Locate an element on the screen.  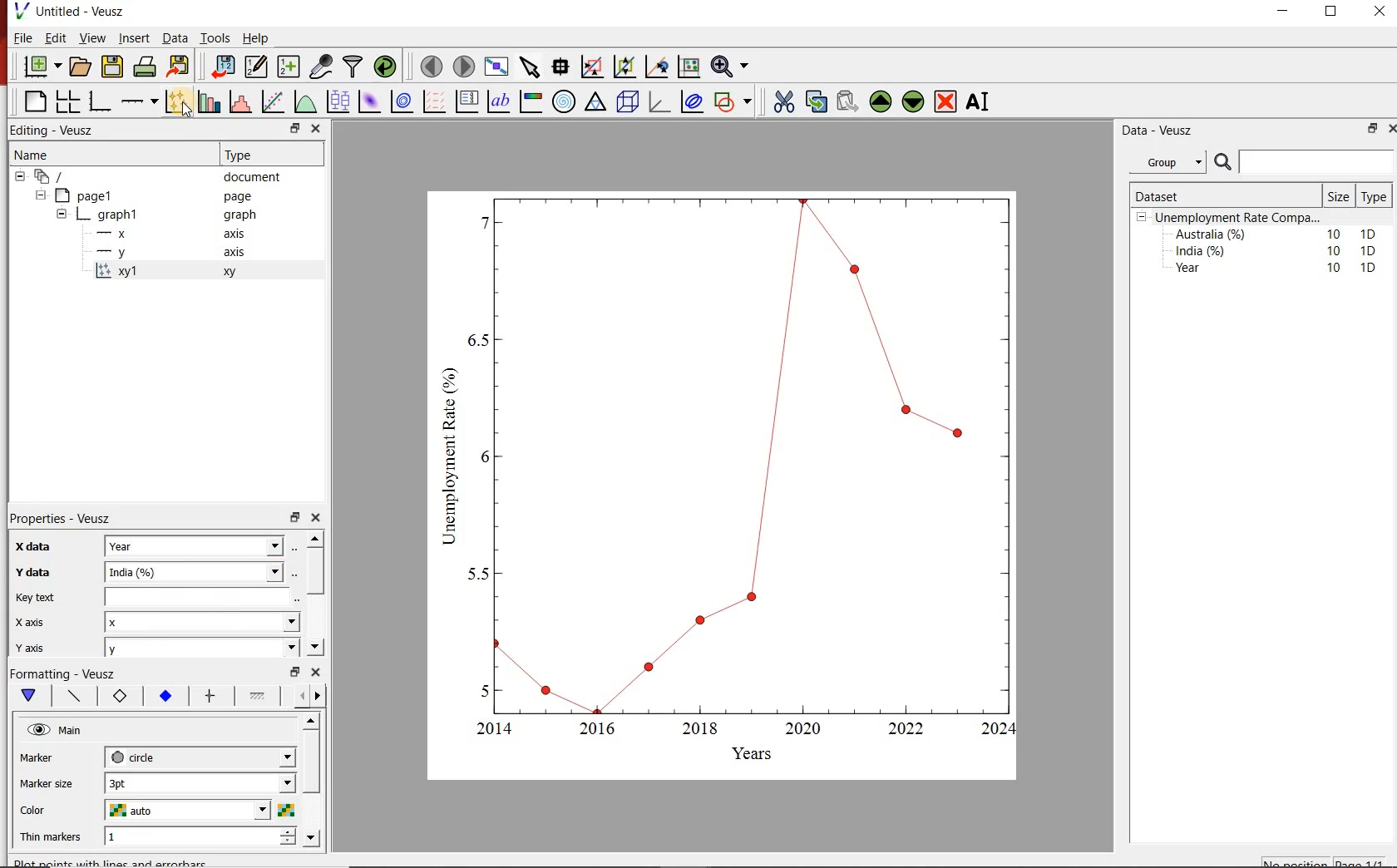
close is located at coordinates (317, 518).